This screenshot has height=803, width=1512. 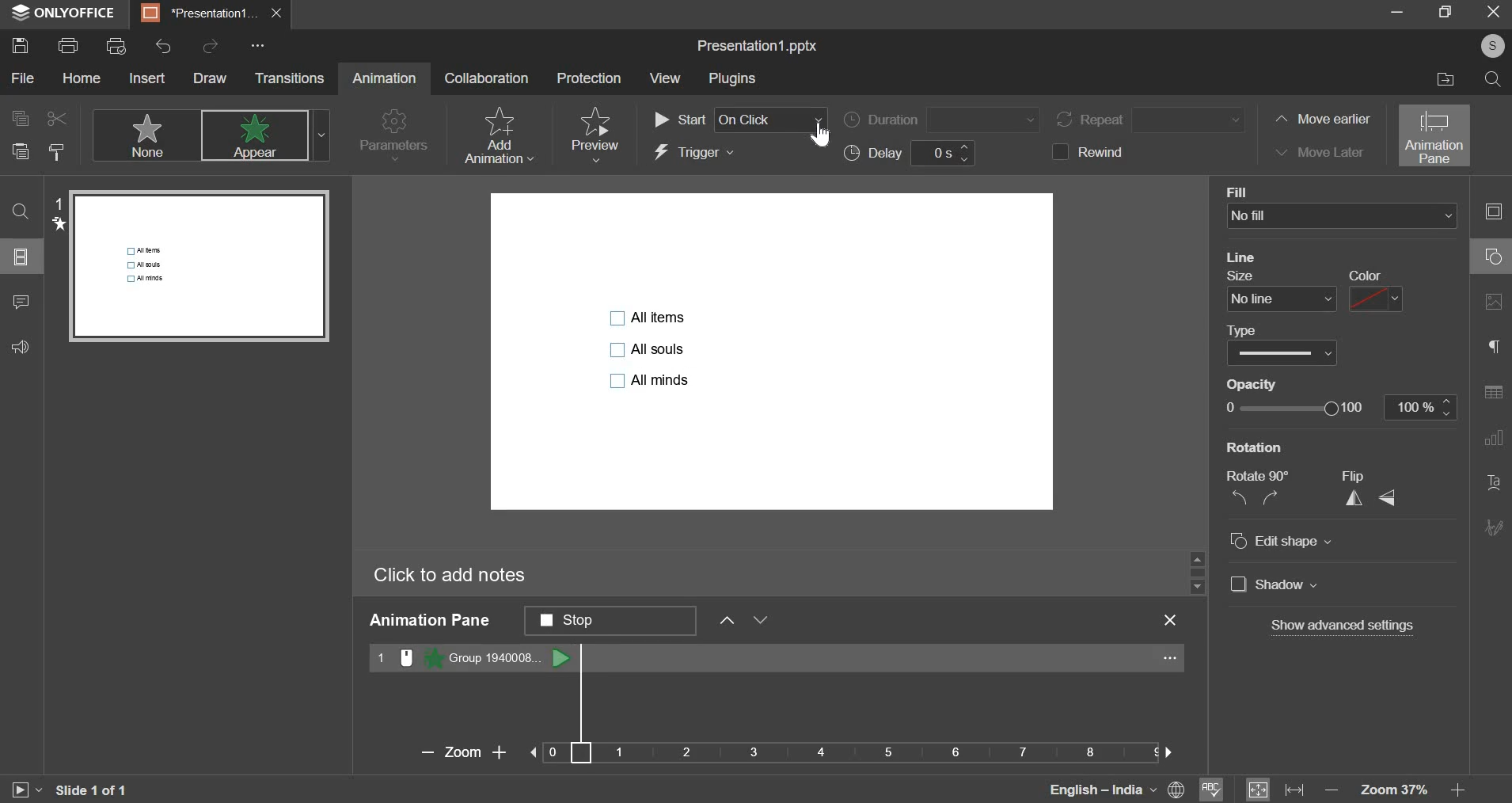 I want to click on click to add notes, so click(x=450, y=576).